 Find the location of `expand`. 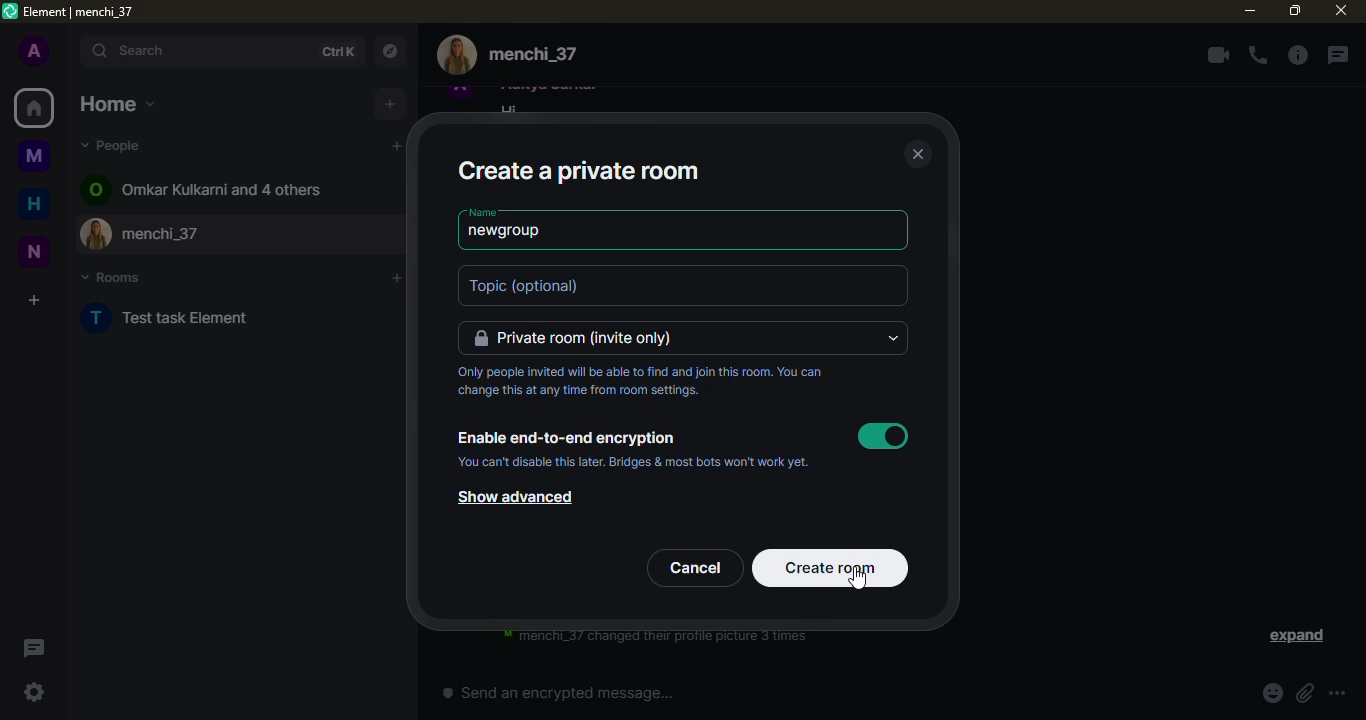

expand is located at coordinates (1295, 636).